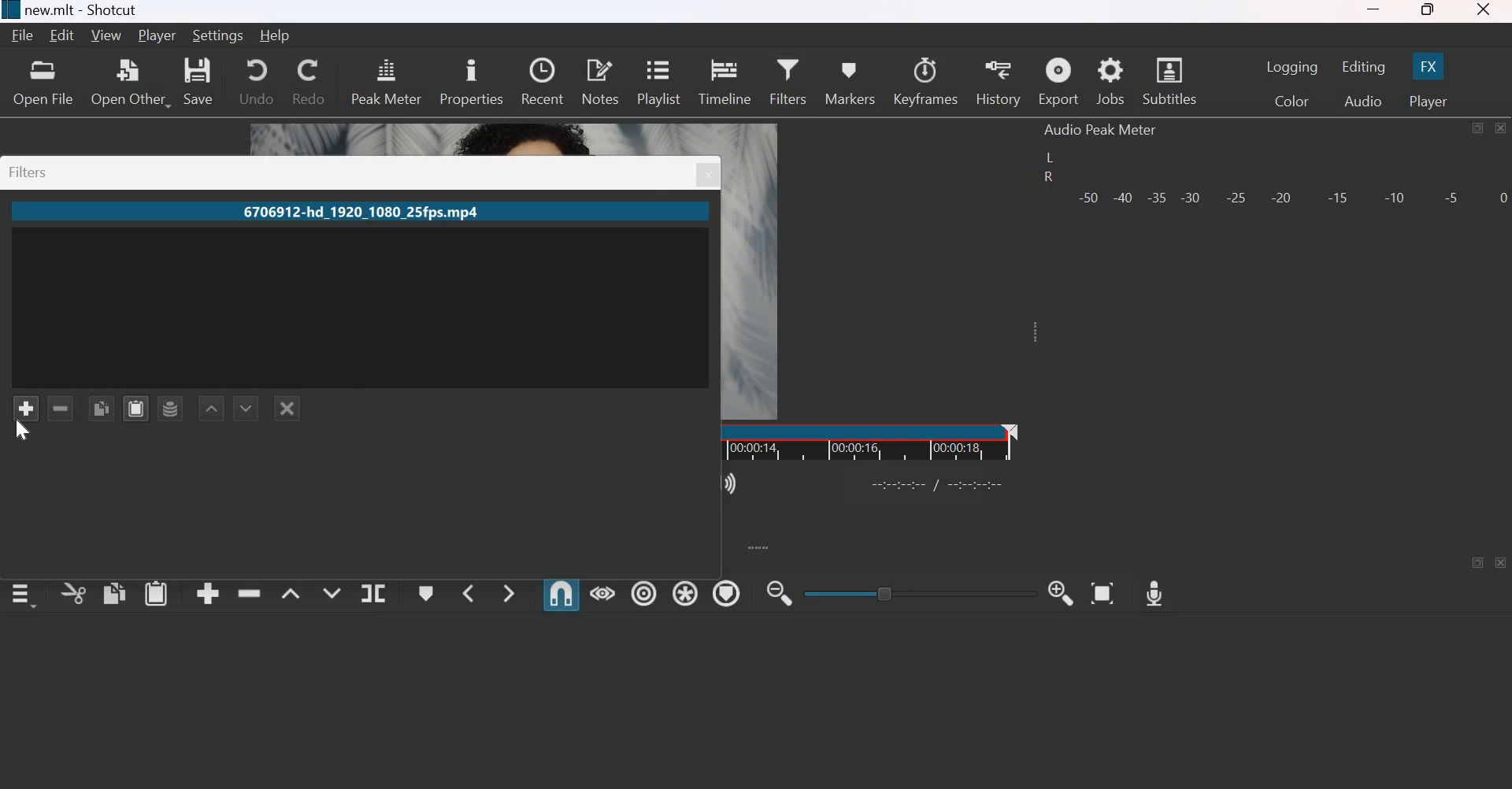 This screenshot has height=789, width=1512. Describe the element at coordinates (787, 79) in the screenshot. I see `Filters` at that location.